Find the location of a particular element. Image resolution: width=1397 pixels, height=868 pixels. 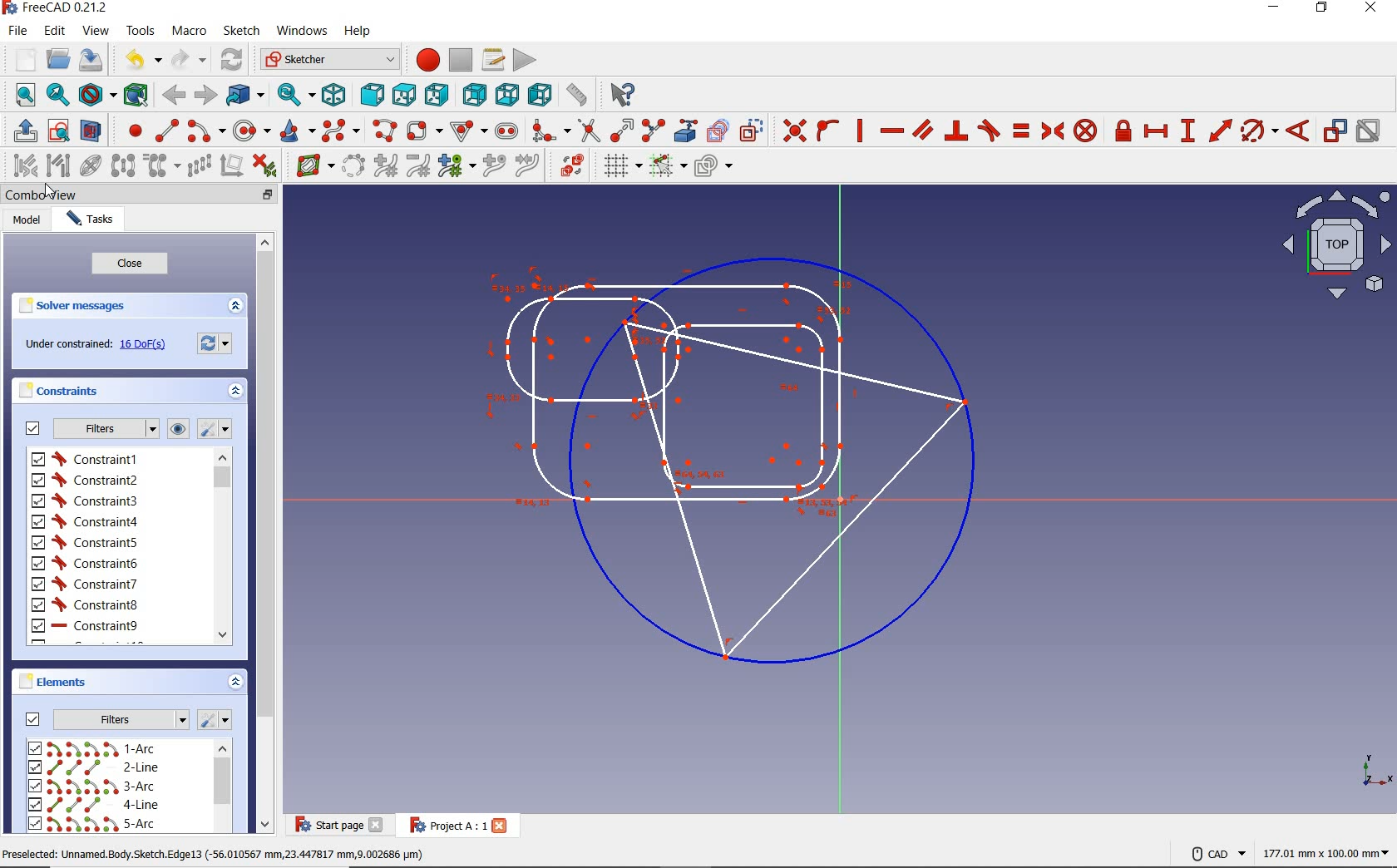

create conic is located at coordinates (294, 131).